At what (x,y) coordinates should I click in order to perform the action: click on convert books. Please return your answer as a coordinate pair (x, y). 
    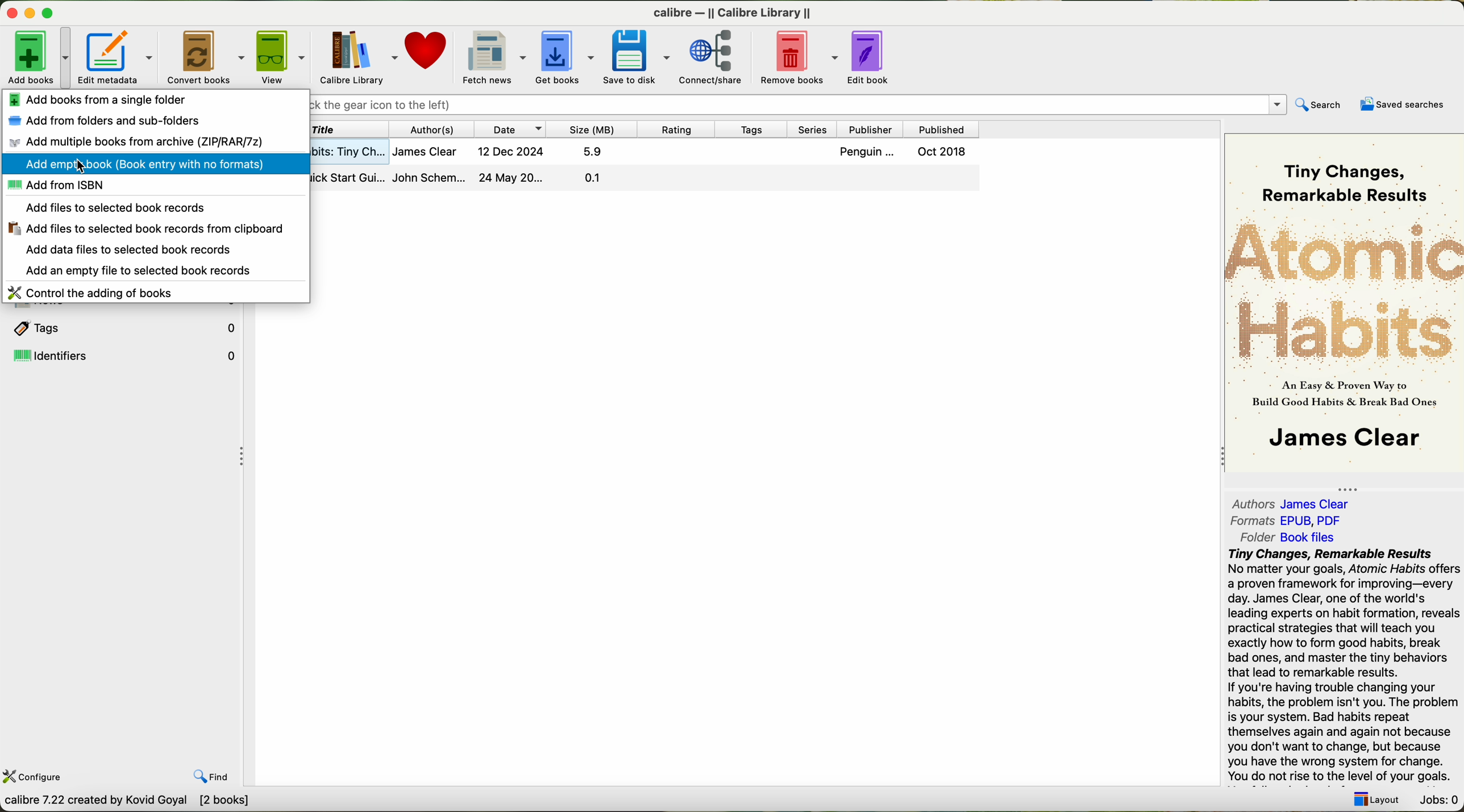
    Looking at the image, I should click on (205, 56).